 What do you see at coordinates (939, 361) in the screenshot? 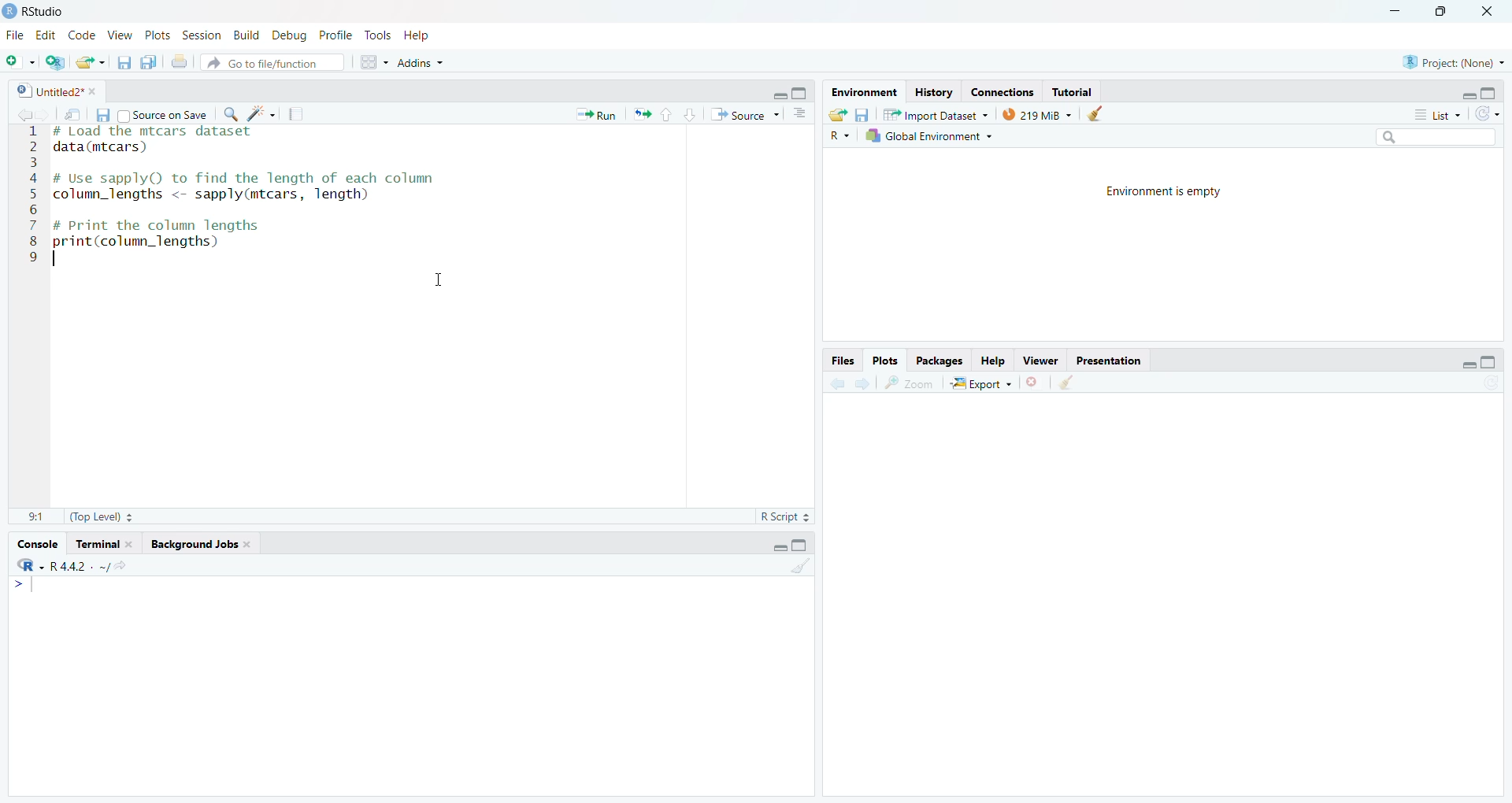
I see `Packages` at bounding box center [939, 361].